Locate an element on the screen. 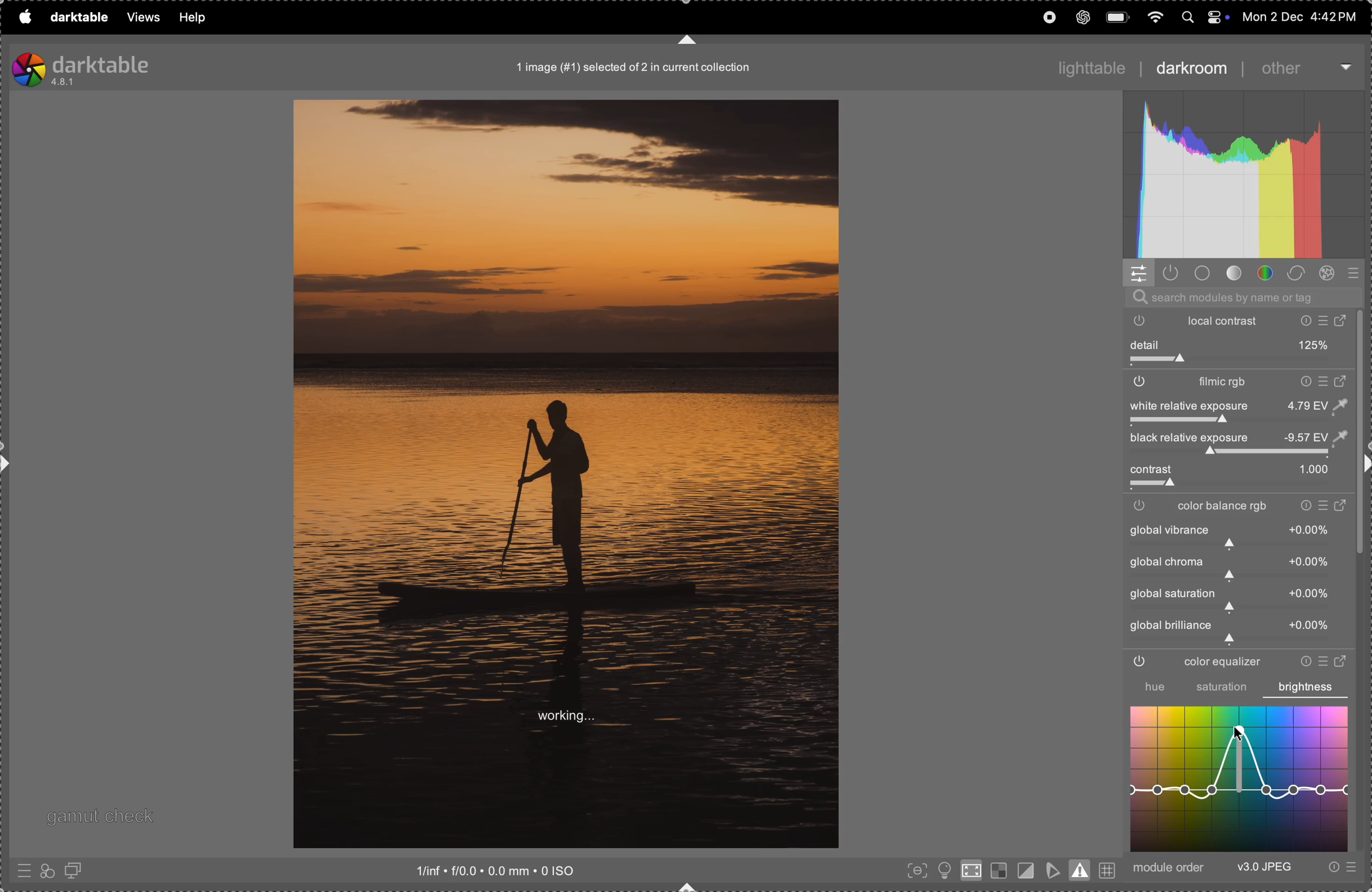 This screenshot has width=1372, height=892. white relative exposure is located at coordinates (1237, 405).